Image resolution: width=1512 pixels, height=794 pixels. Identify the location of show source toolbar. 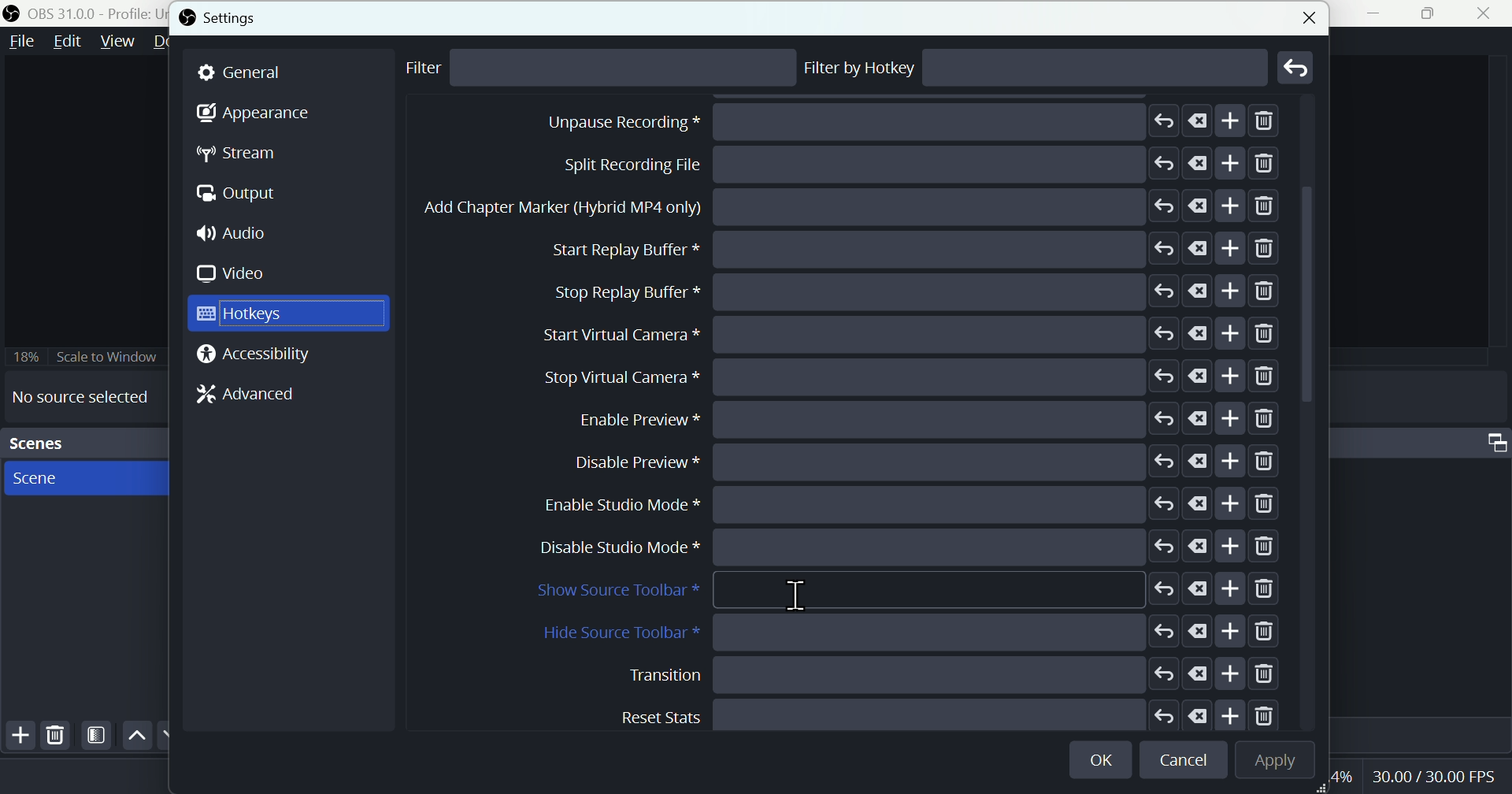
(907, 591).